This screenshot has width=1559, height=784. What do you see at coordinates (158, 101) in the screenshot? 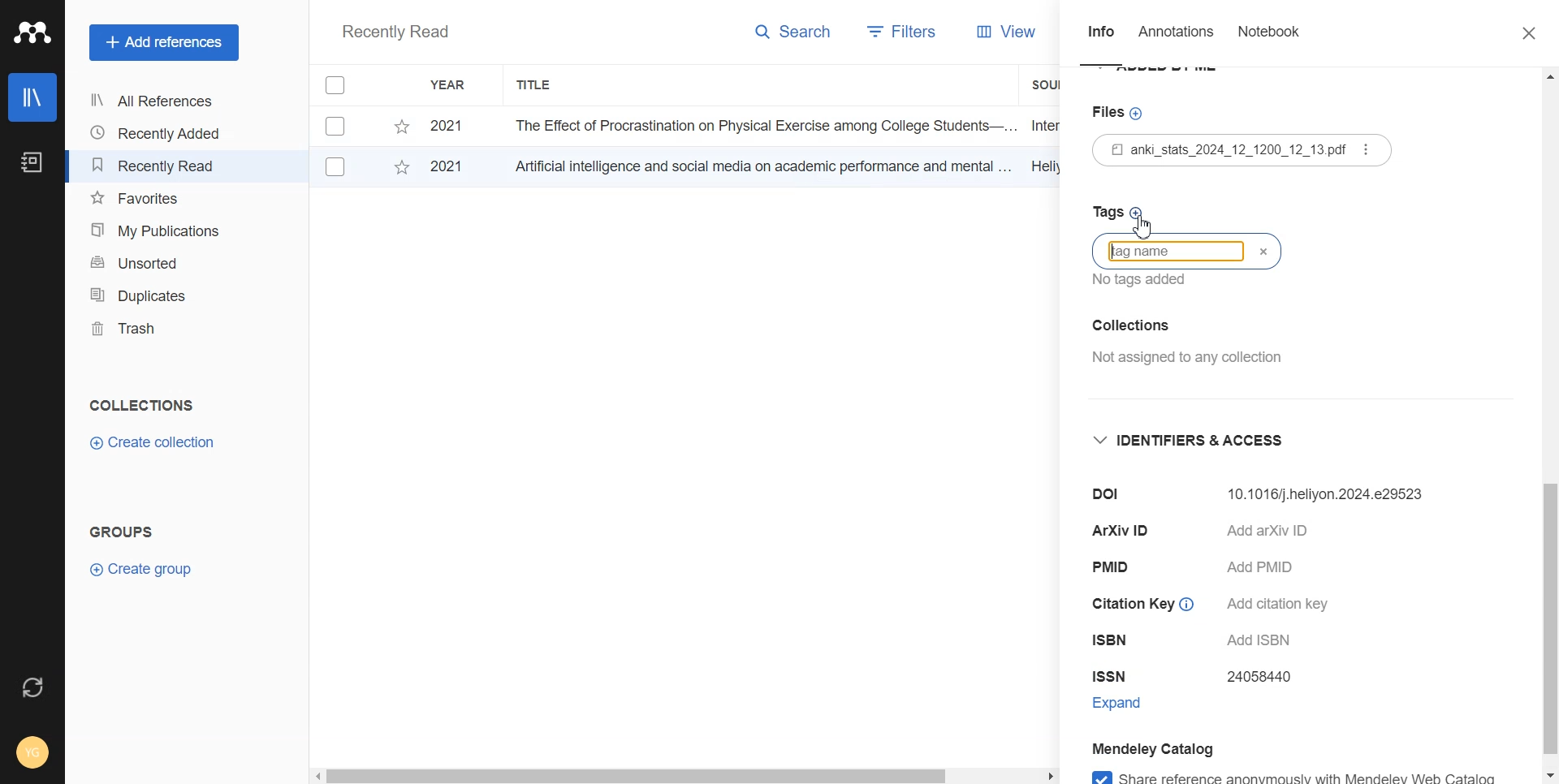
I see `All References` at bounding box center [158, 101].